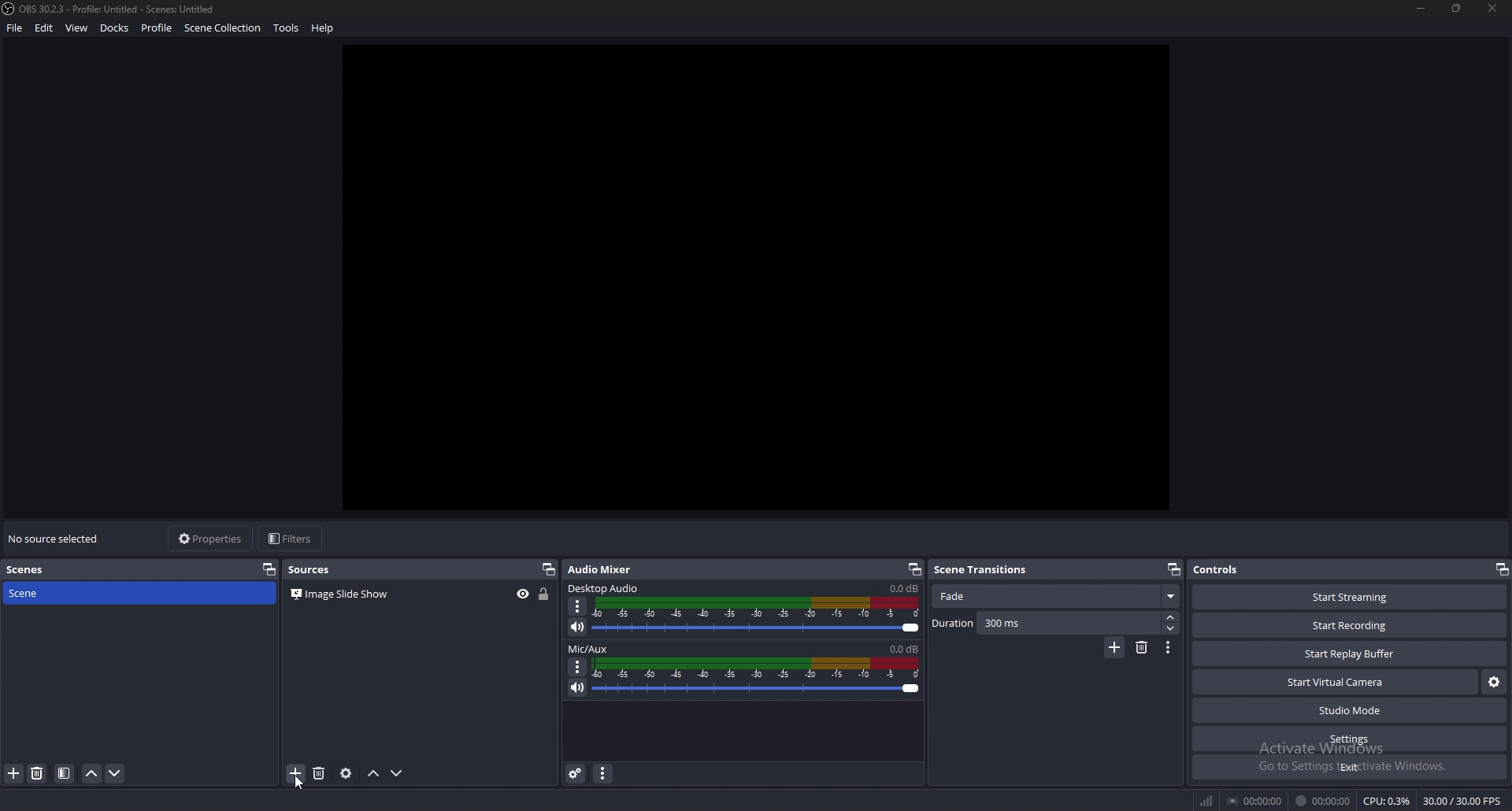  Describe the element at coordinates (43, 594) in the screenshot. I see `scene` at that location.